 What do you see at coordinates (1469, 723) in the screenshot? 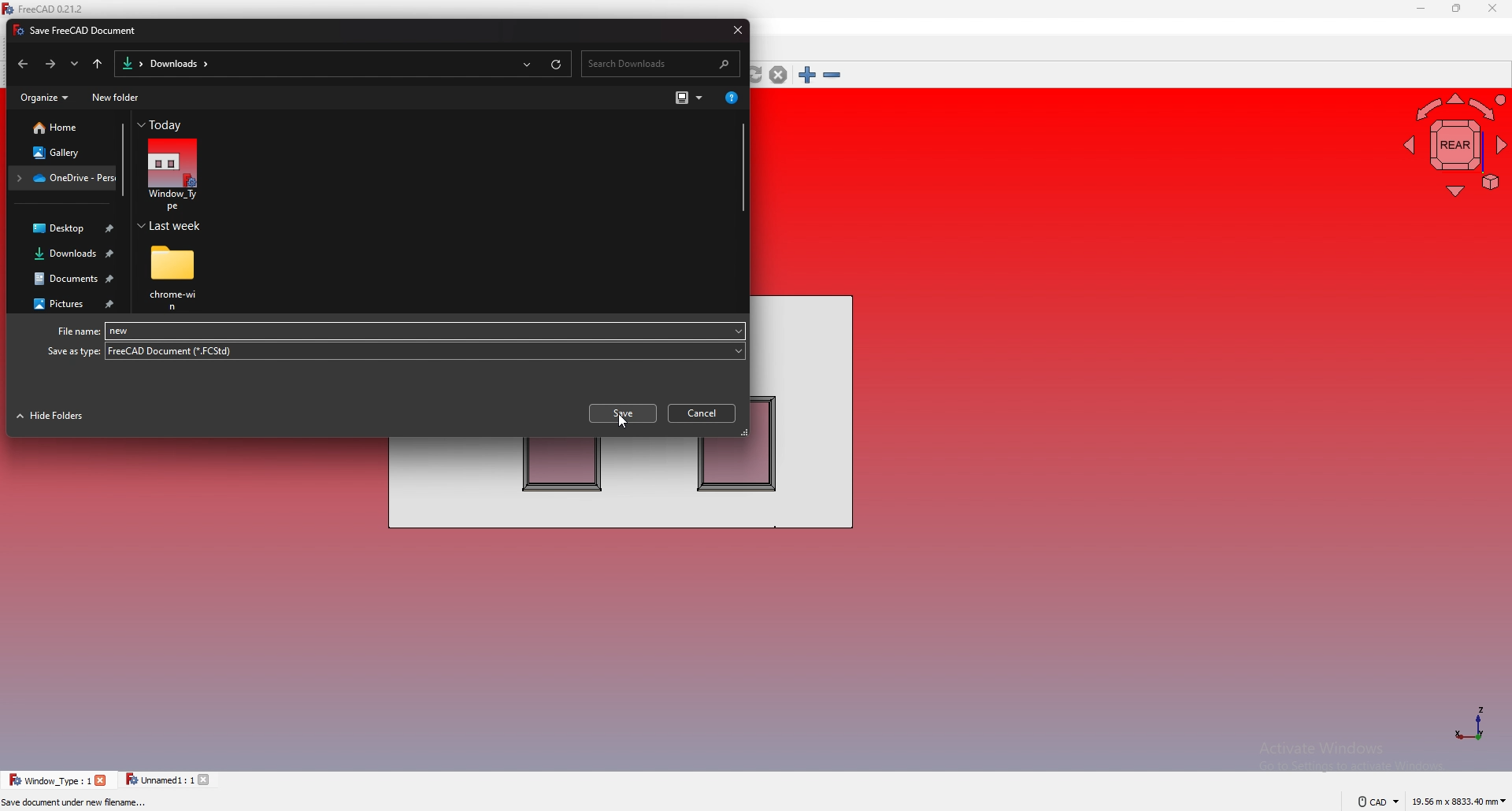
I see `axis` at bounding box center [1469, 723].